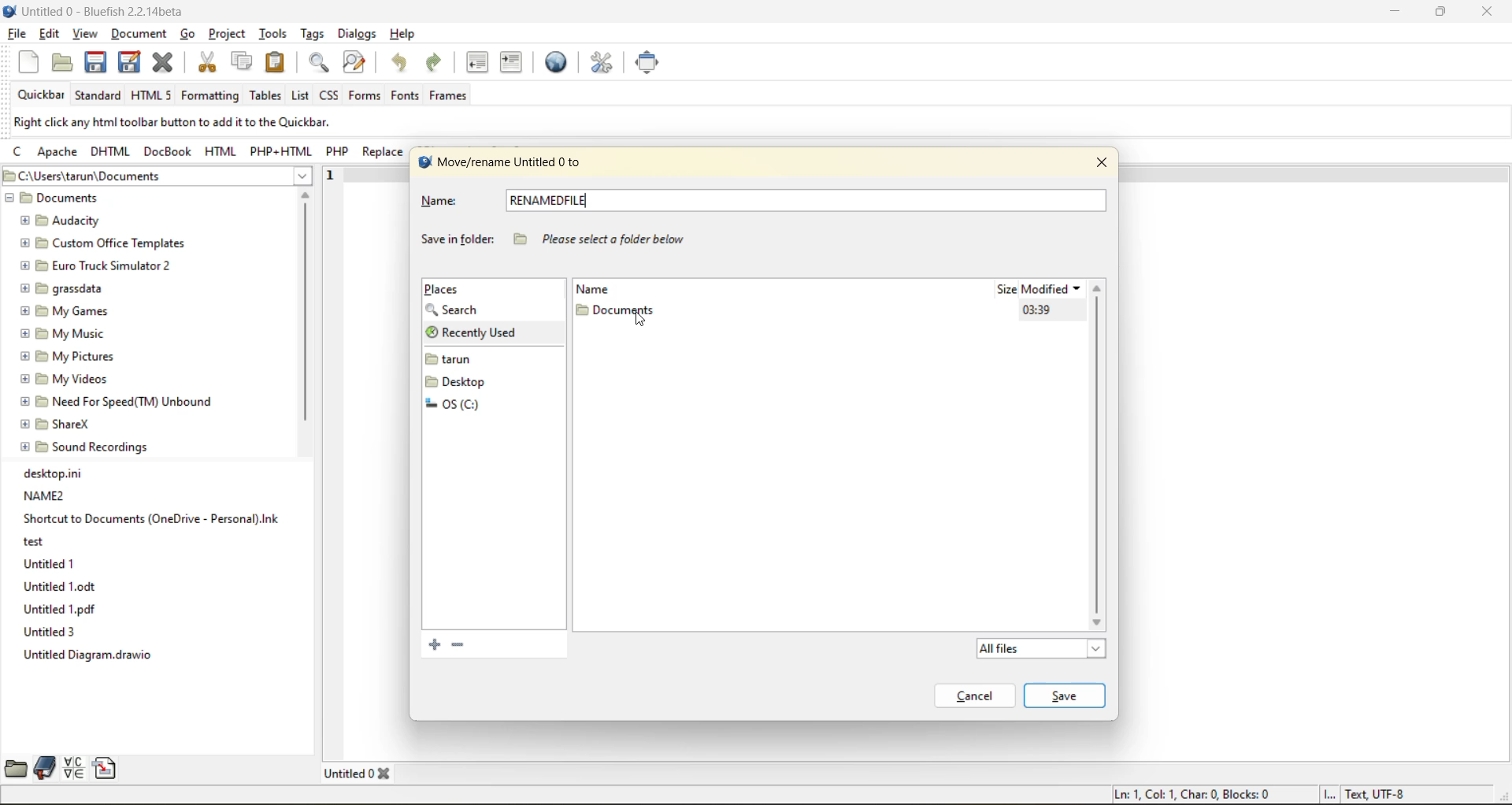 This screenshot has width=1512, height=805. Describe the element at coordinates (50, 496) in the screenshot. I see `NAME2` at that location.